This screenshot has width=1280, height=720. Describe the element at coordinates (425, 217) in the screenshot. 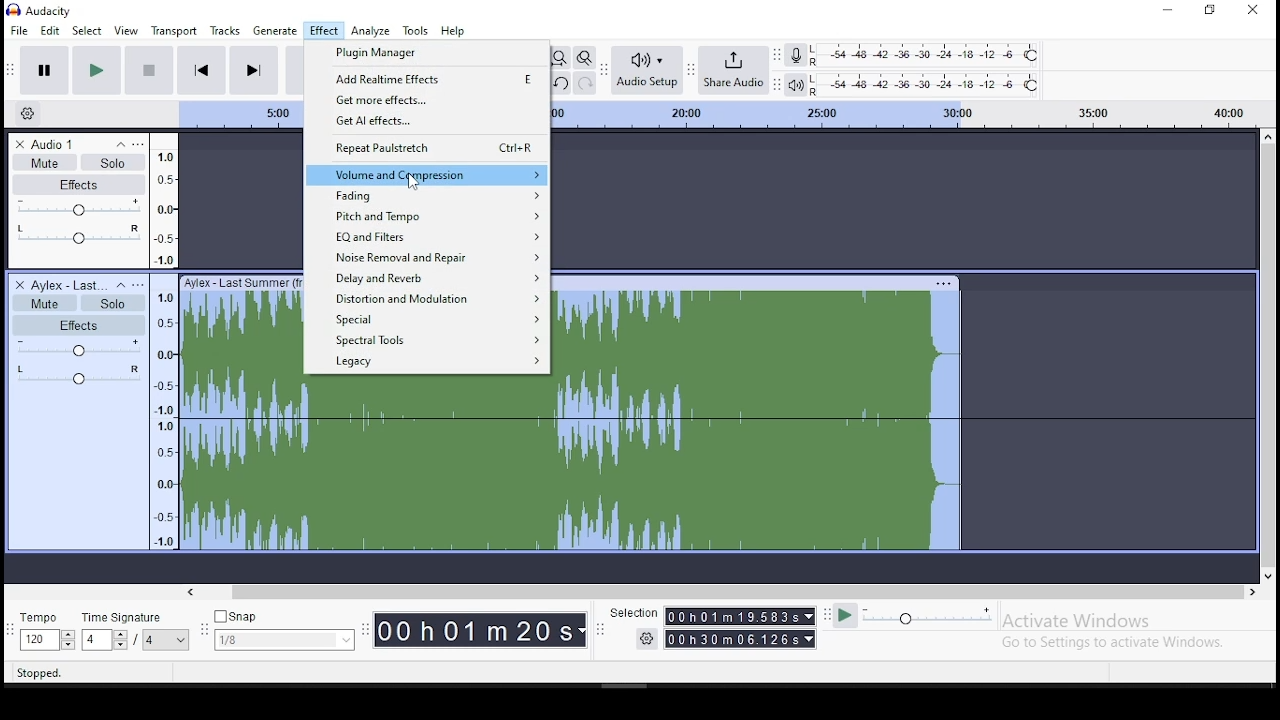

I see `pitch and tempo` at that location.